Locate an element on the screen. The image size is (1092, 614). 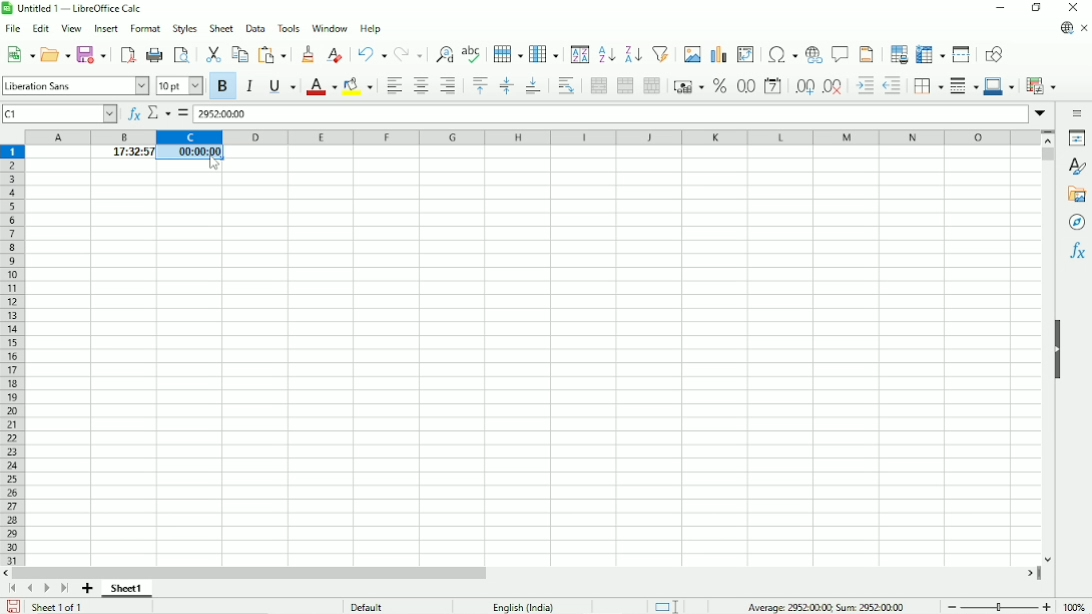
Export as PDF is located at coordinates (126, 54).